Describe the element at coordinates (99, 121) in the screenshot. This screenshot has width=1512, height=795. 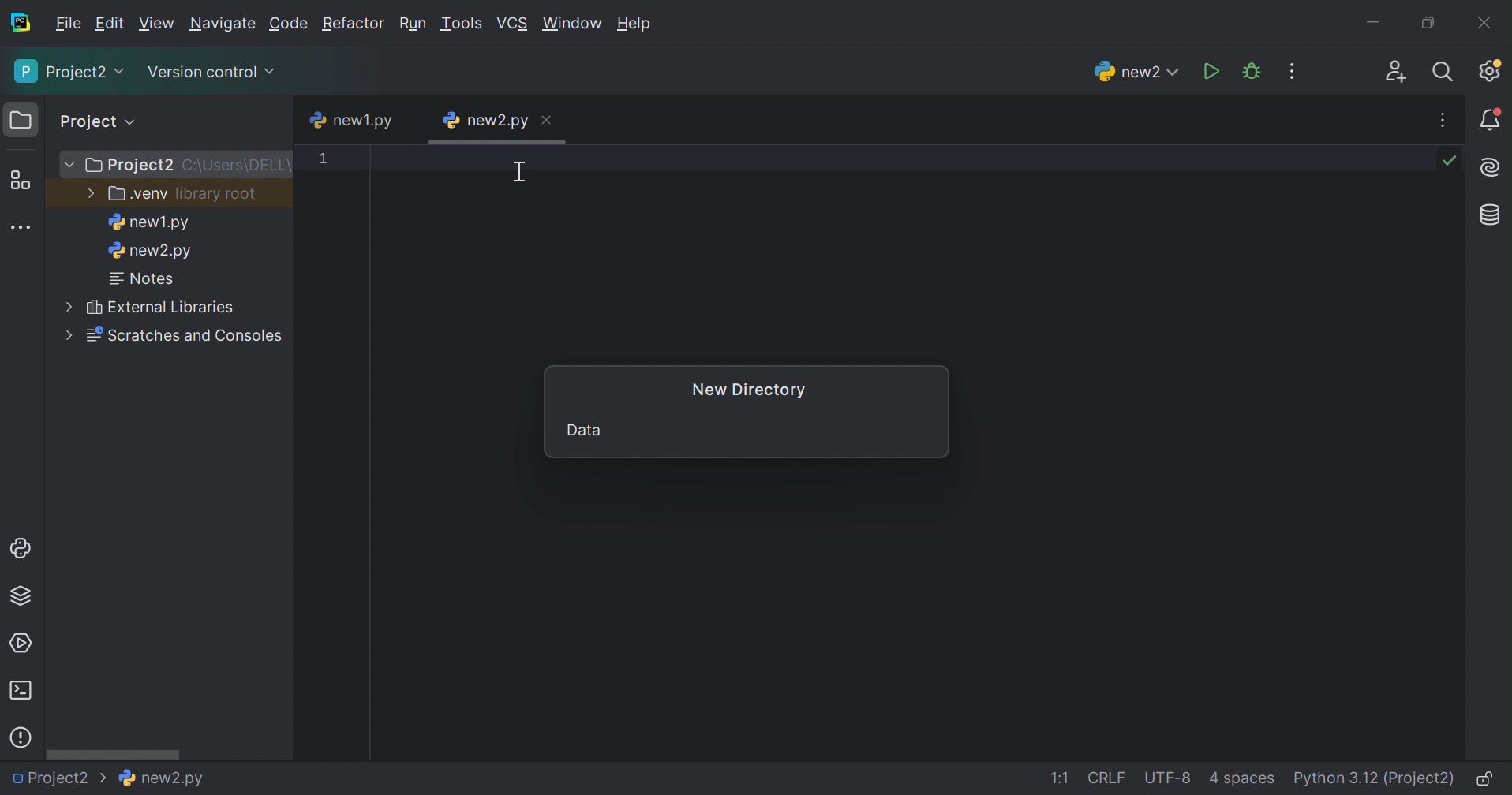
I see `Project` at that location.